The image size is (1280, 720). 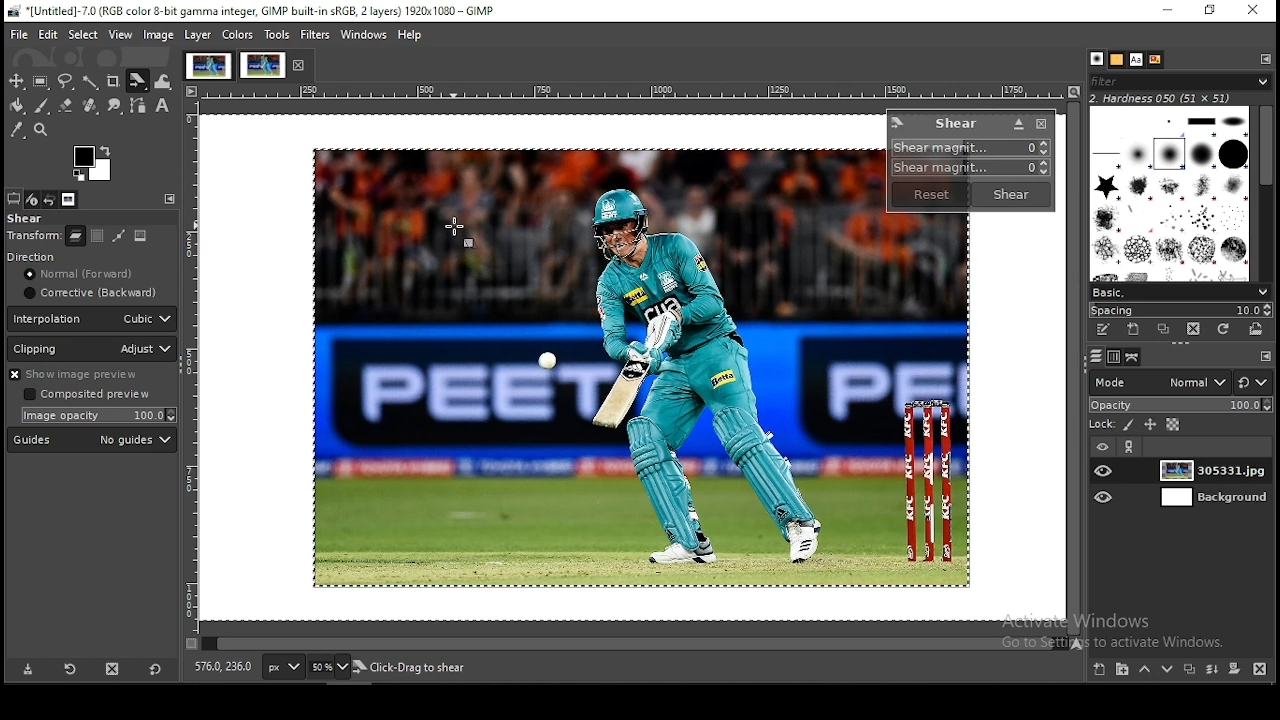 What do you see at coordinates (1167, 195) in the screenshot?
I see `brushes` at bounding box center [1167, 195].